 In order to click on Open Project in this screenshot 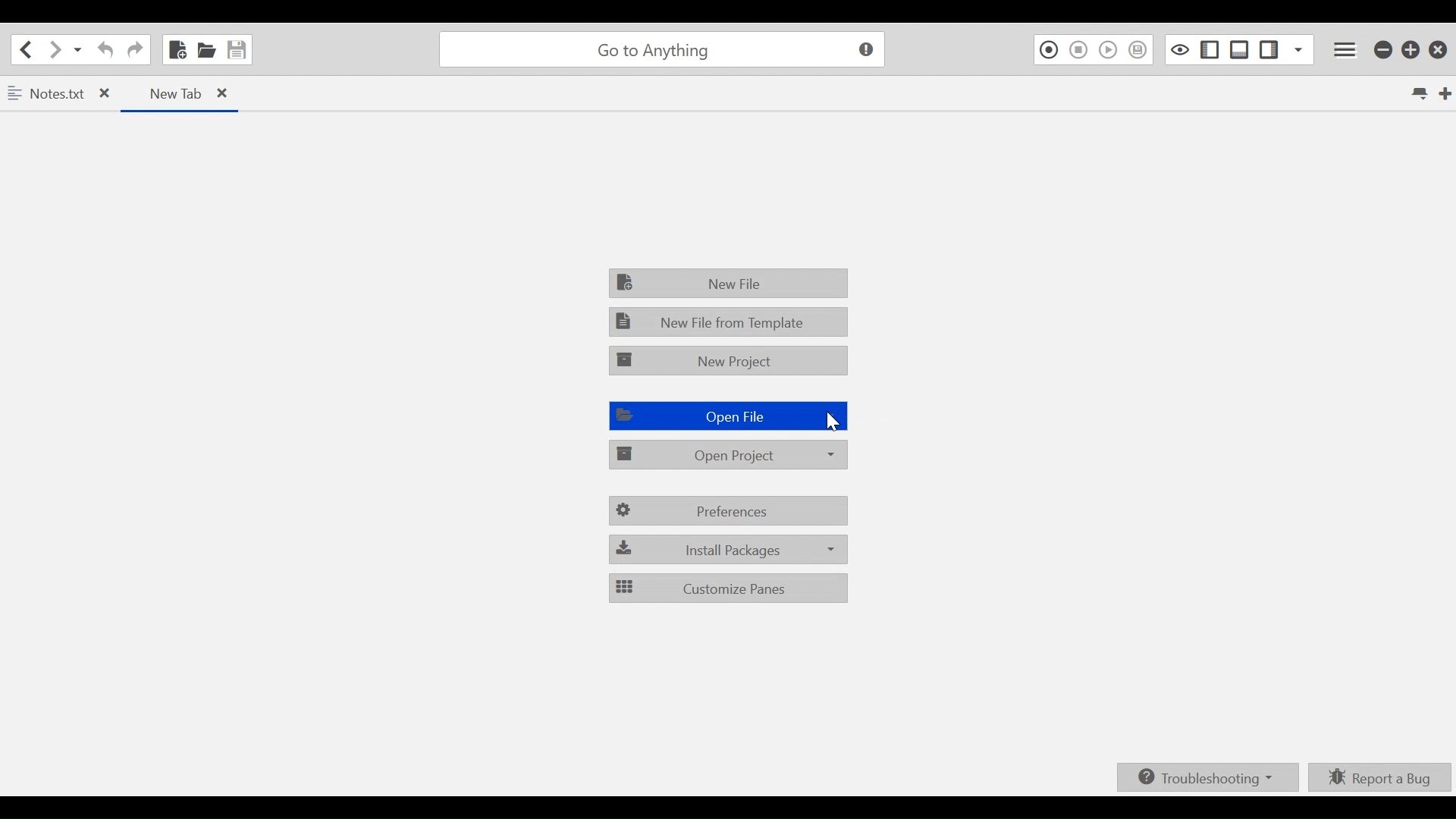, I will do `click(730, 453)`.